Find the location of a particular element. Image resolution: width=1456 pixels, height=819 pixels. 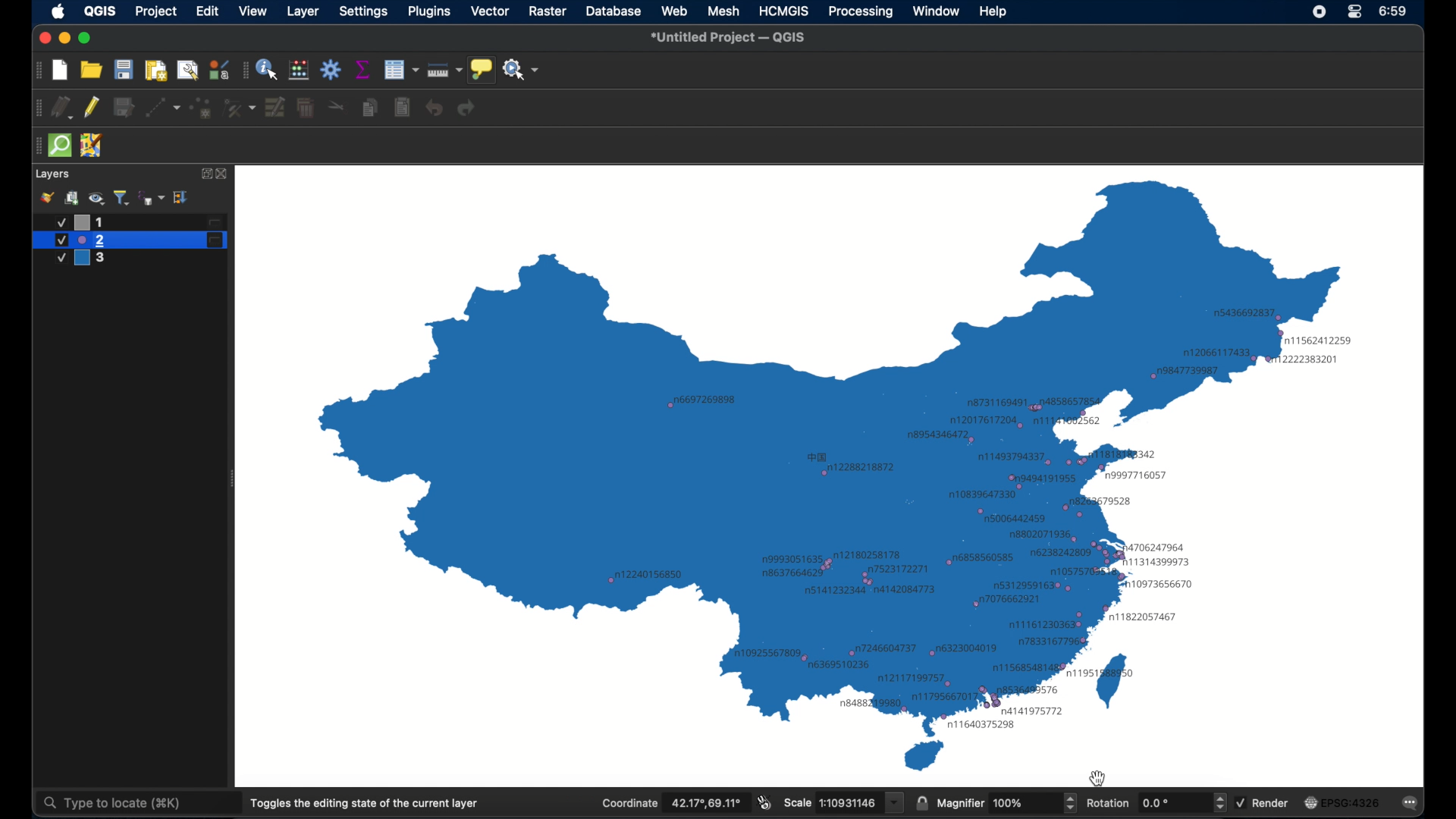

layer 2 is located at coordinates (130, 240).